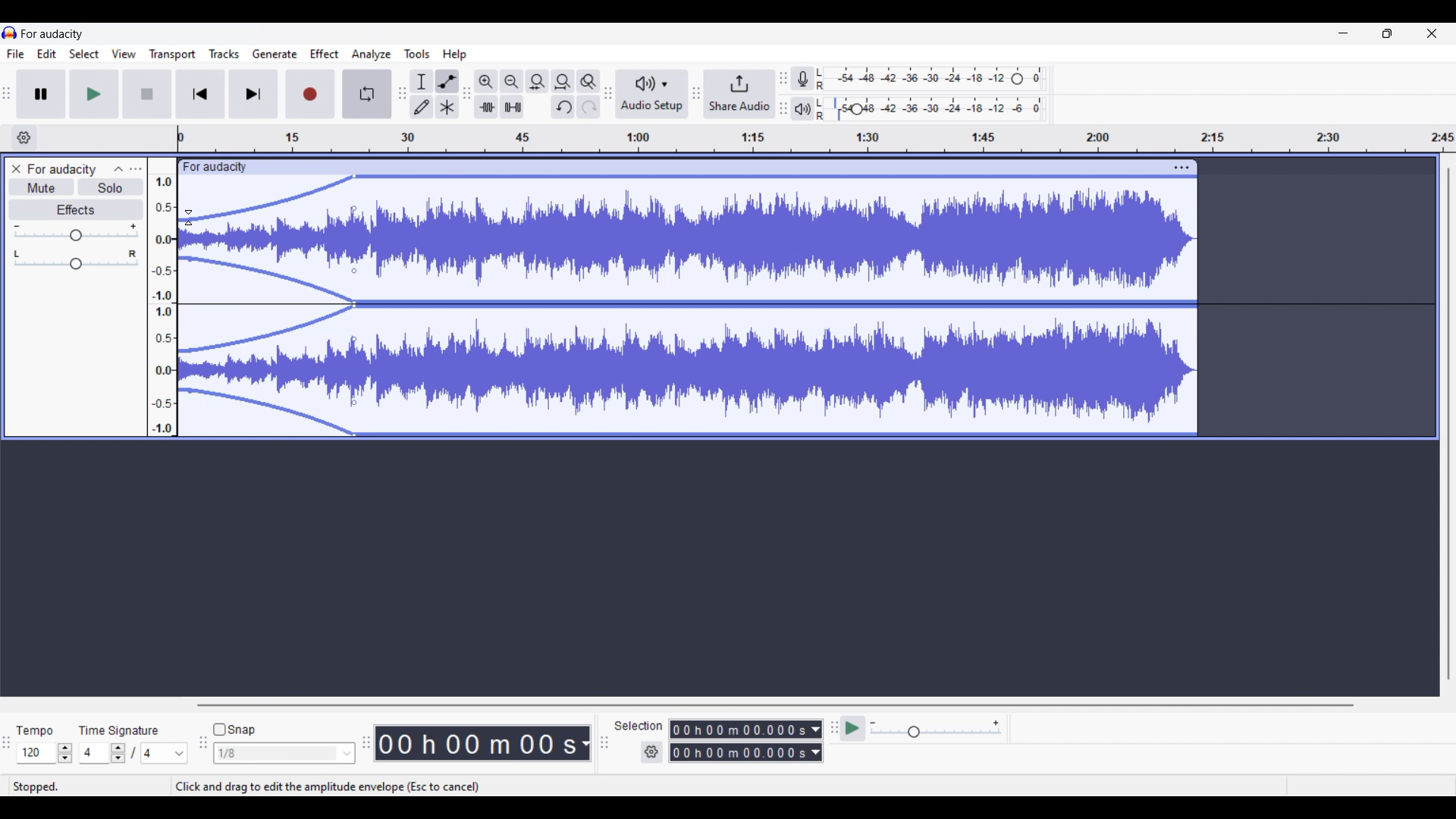 This screenshot has height=819, width=1456. I want to click on Effects, so click(76, 209).